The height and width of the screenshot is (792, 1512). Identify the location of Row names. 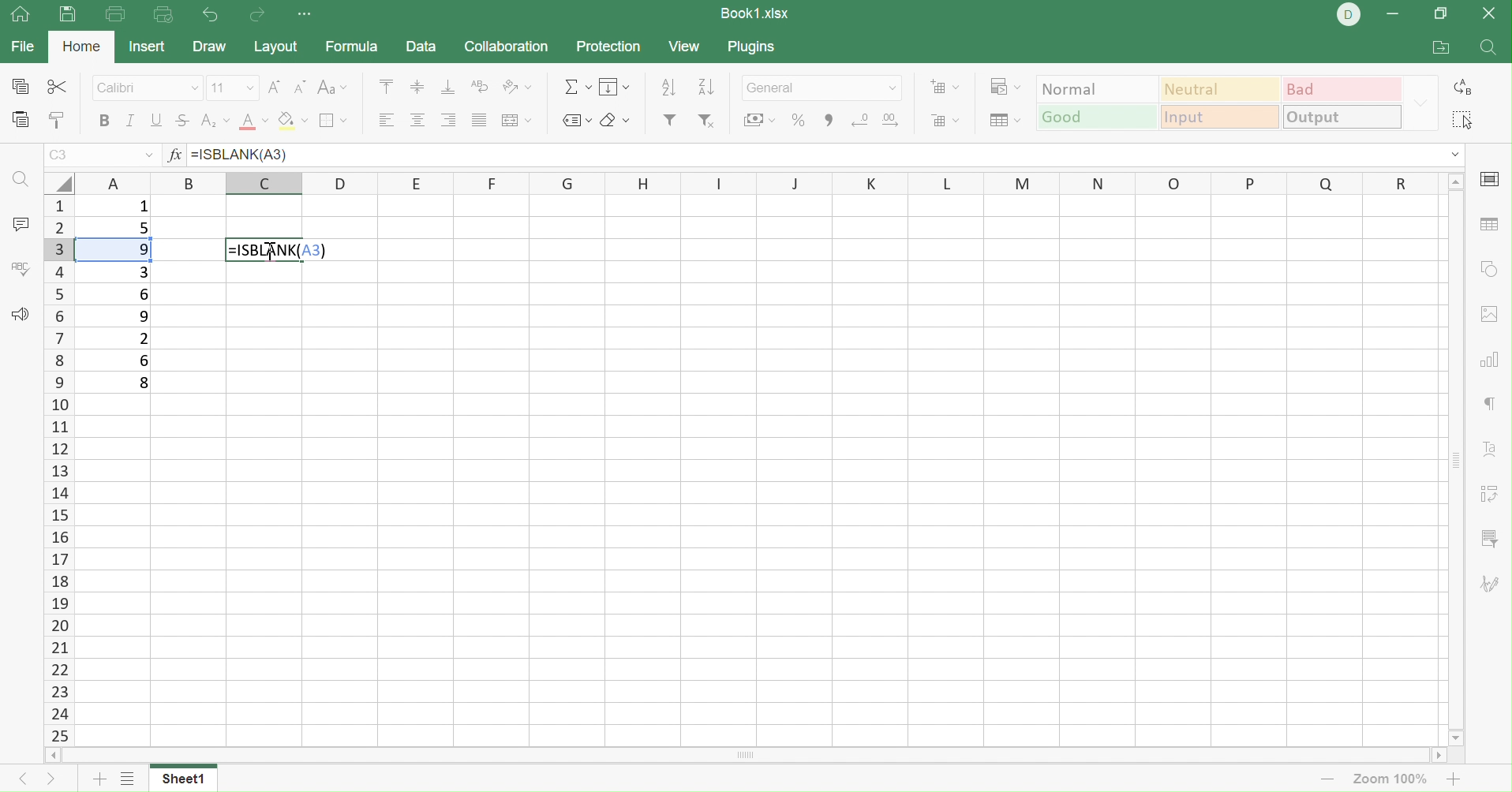
(58, 470).